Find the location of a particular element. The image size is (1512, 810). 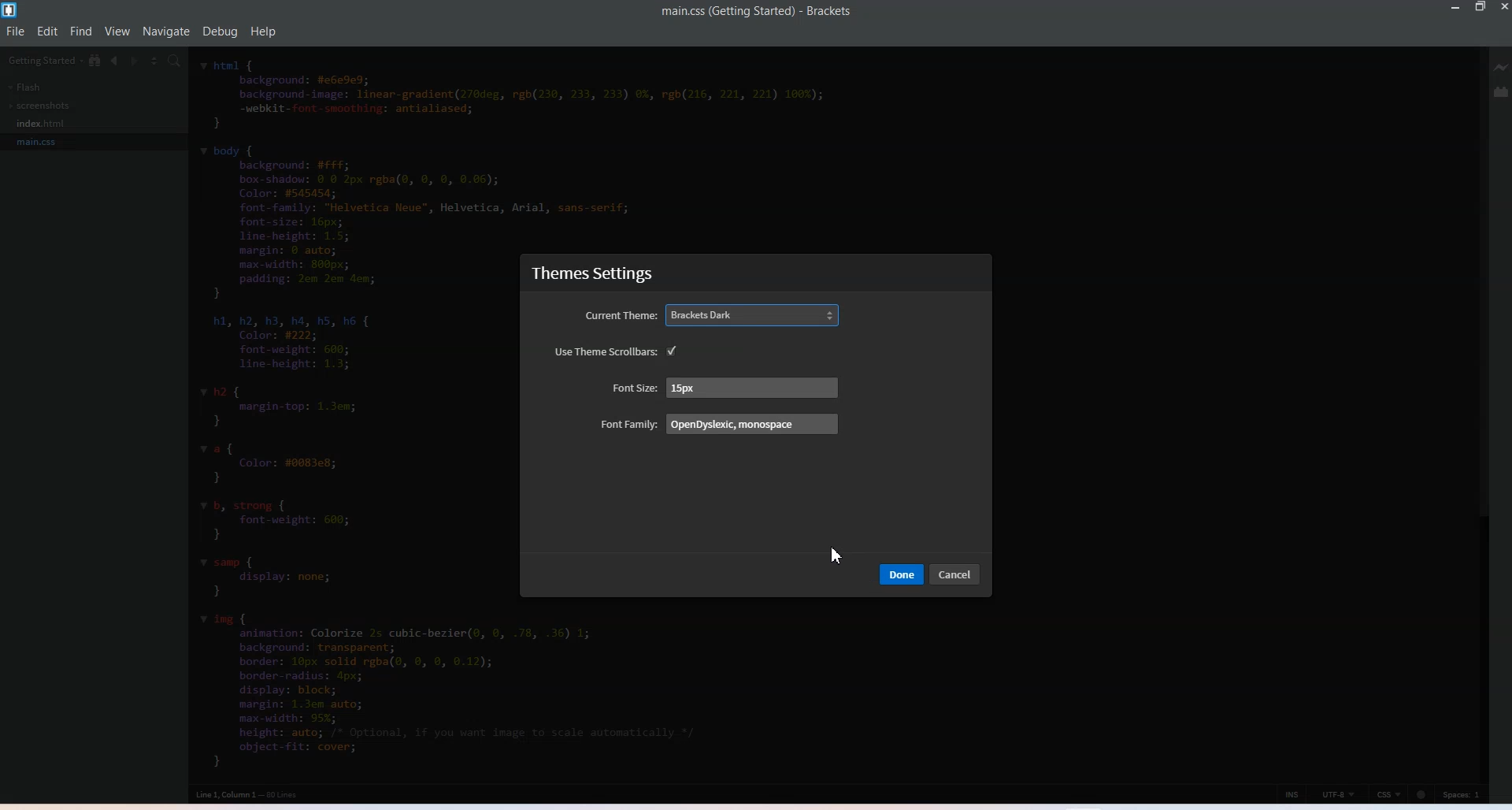

Navigate Backwards is located at coordinates (117, 61).